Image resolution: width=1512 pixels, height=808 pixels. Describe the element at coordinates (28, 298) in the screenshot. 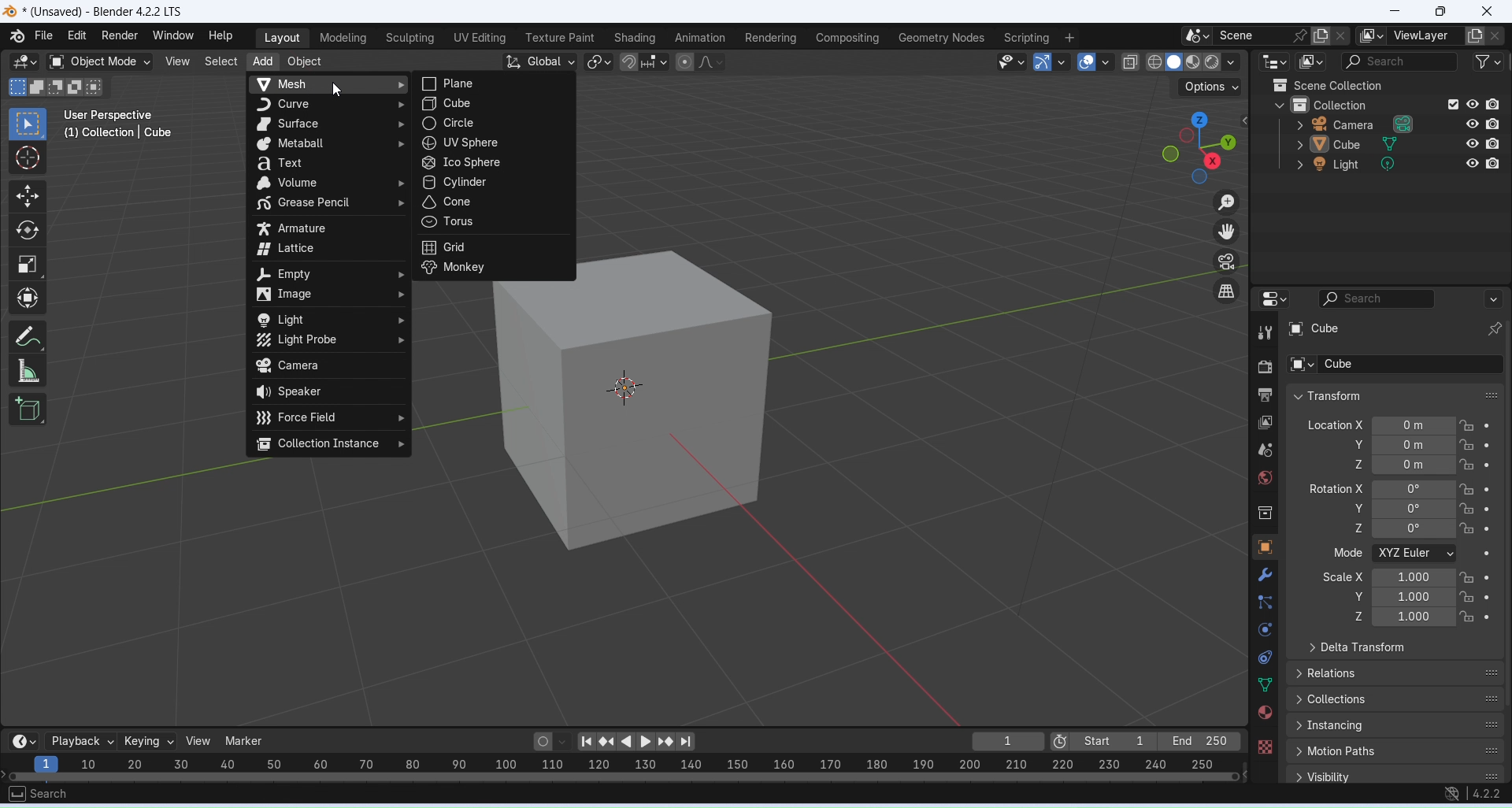

I see `Transform` at that location.